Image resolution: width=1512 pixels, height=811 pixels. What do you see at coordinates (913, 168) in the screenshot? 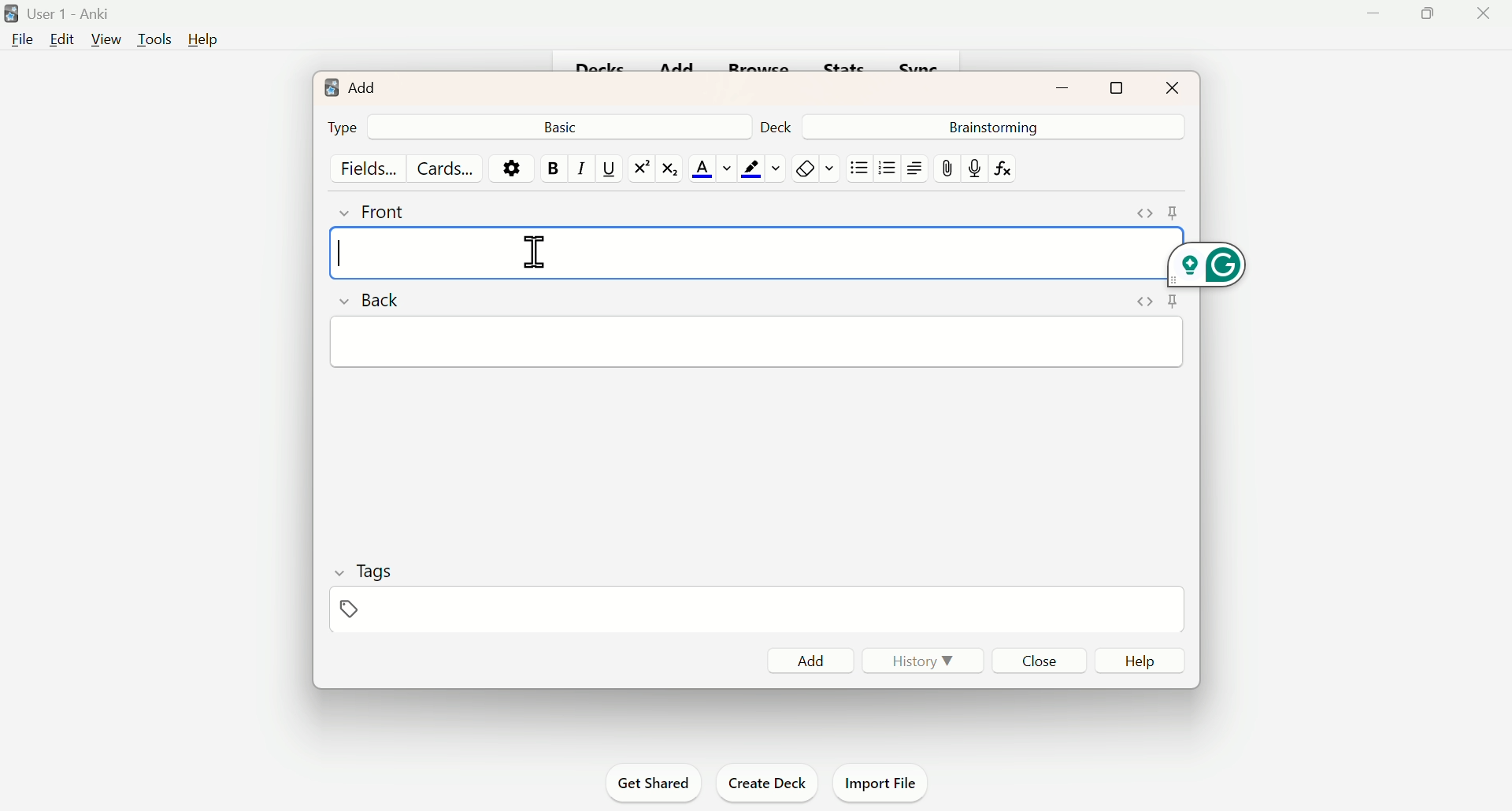
I see `Text Alignment` at bounding box center [913, 168].